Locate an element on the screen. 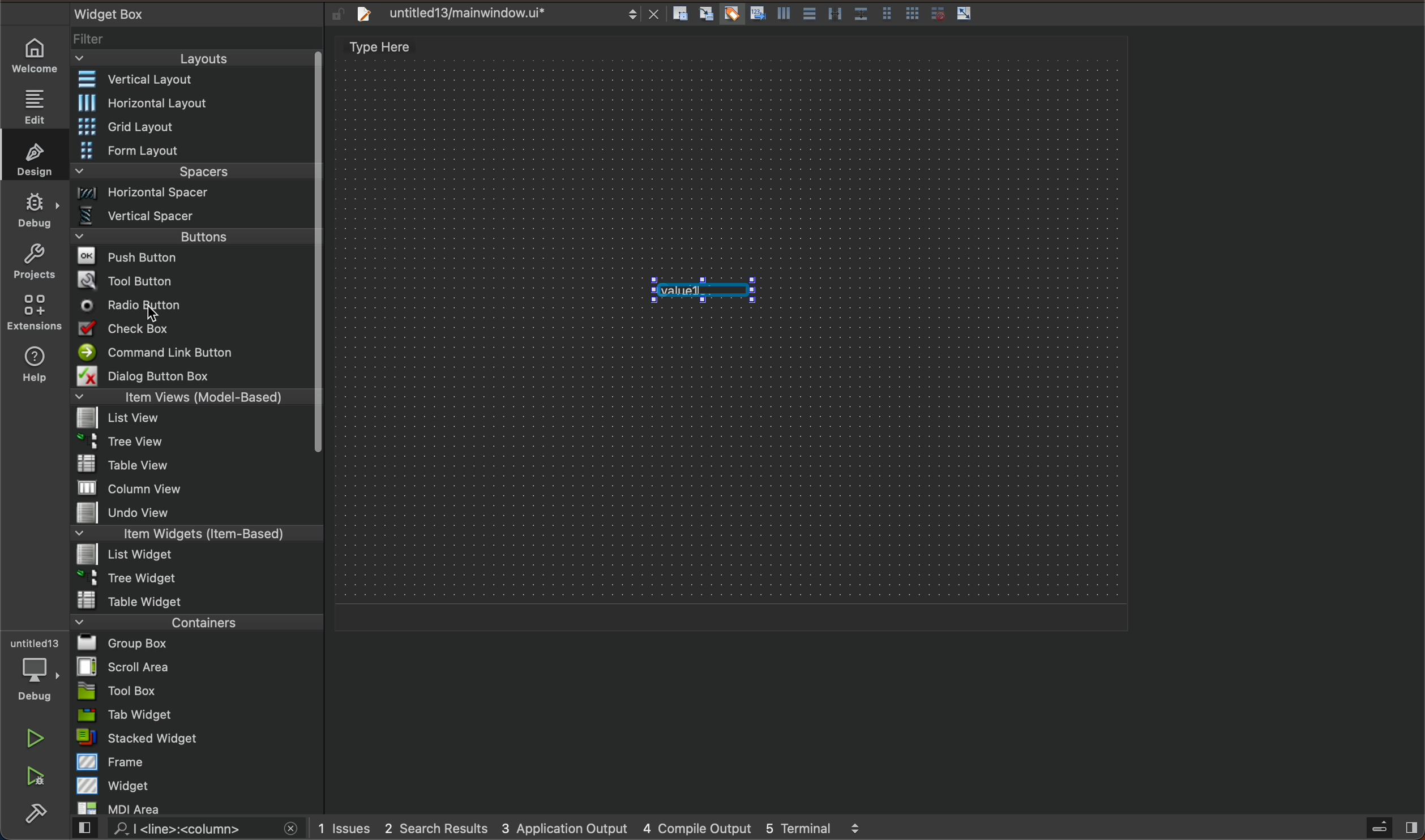  filter is located at coordinates (198, 43).